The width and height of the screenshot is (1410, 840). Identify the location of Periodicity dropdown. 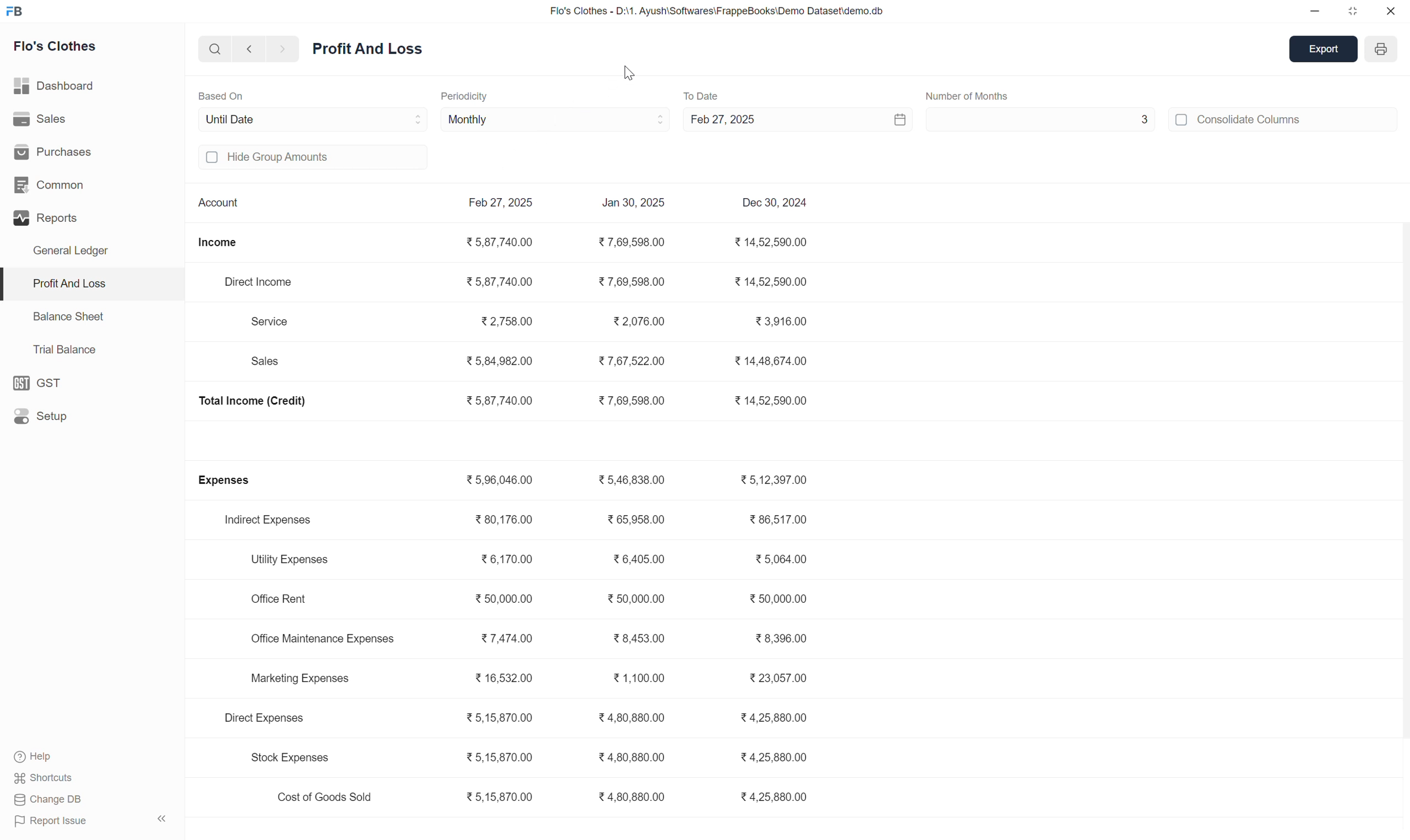
(621, 121).